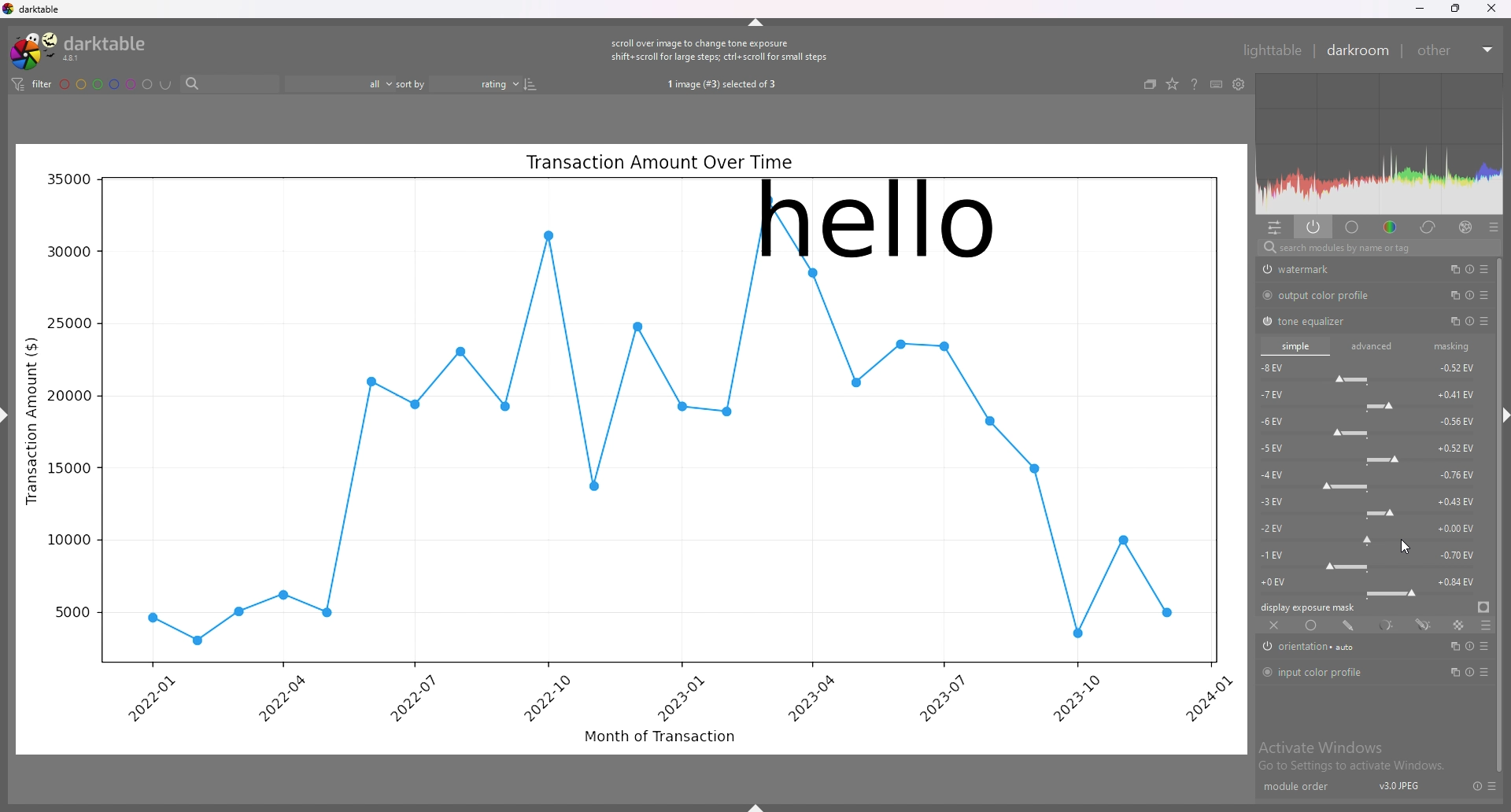 The image size is (1511, 812). I want to click on 30000, so click(66, 252).